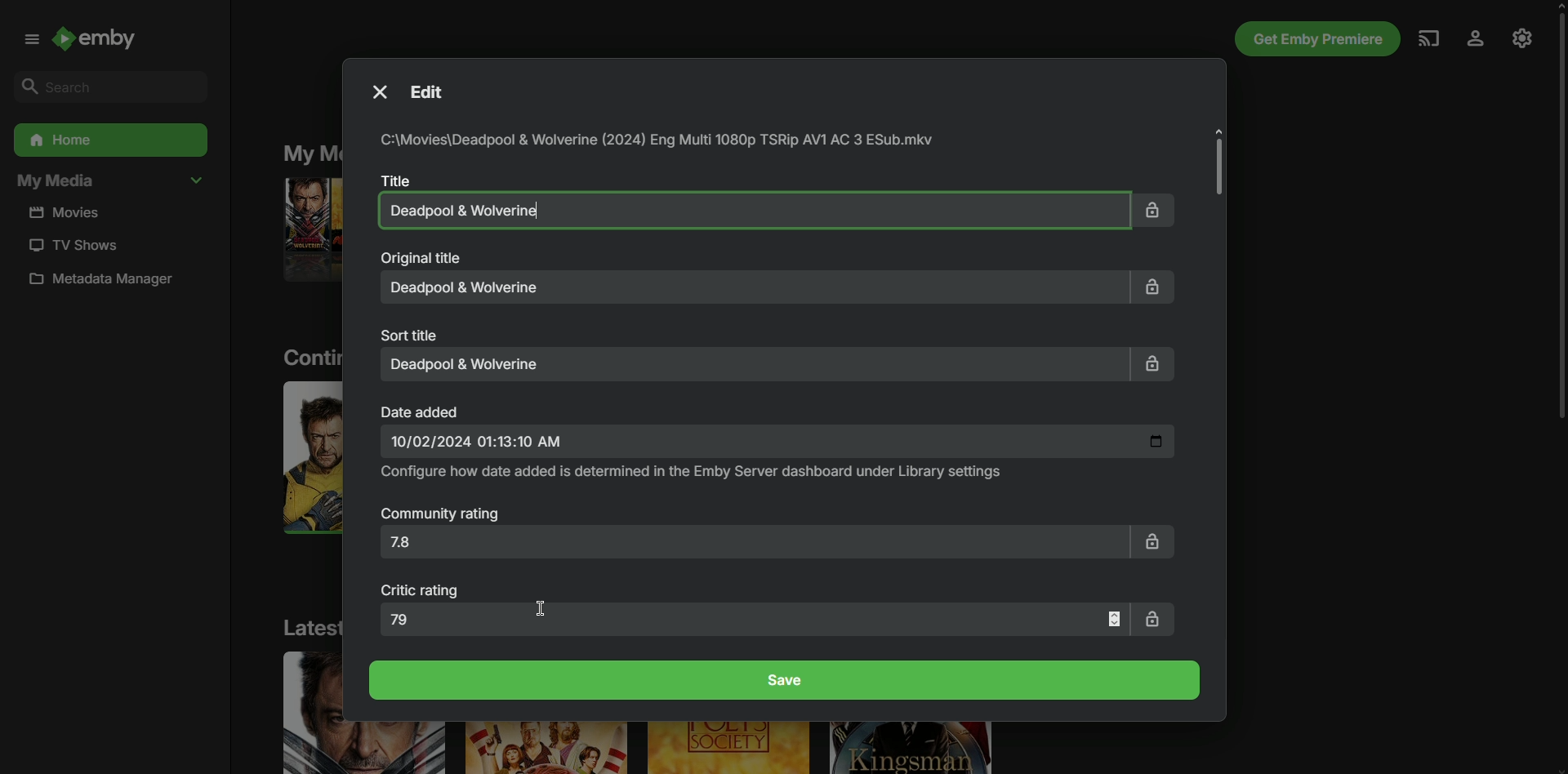 This screenshot has width=1568, height=774. Describe the element at coordinates (751, 546) in the screenshot. I see `7.8` at that location.